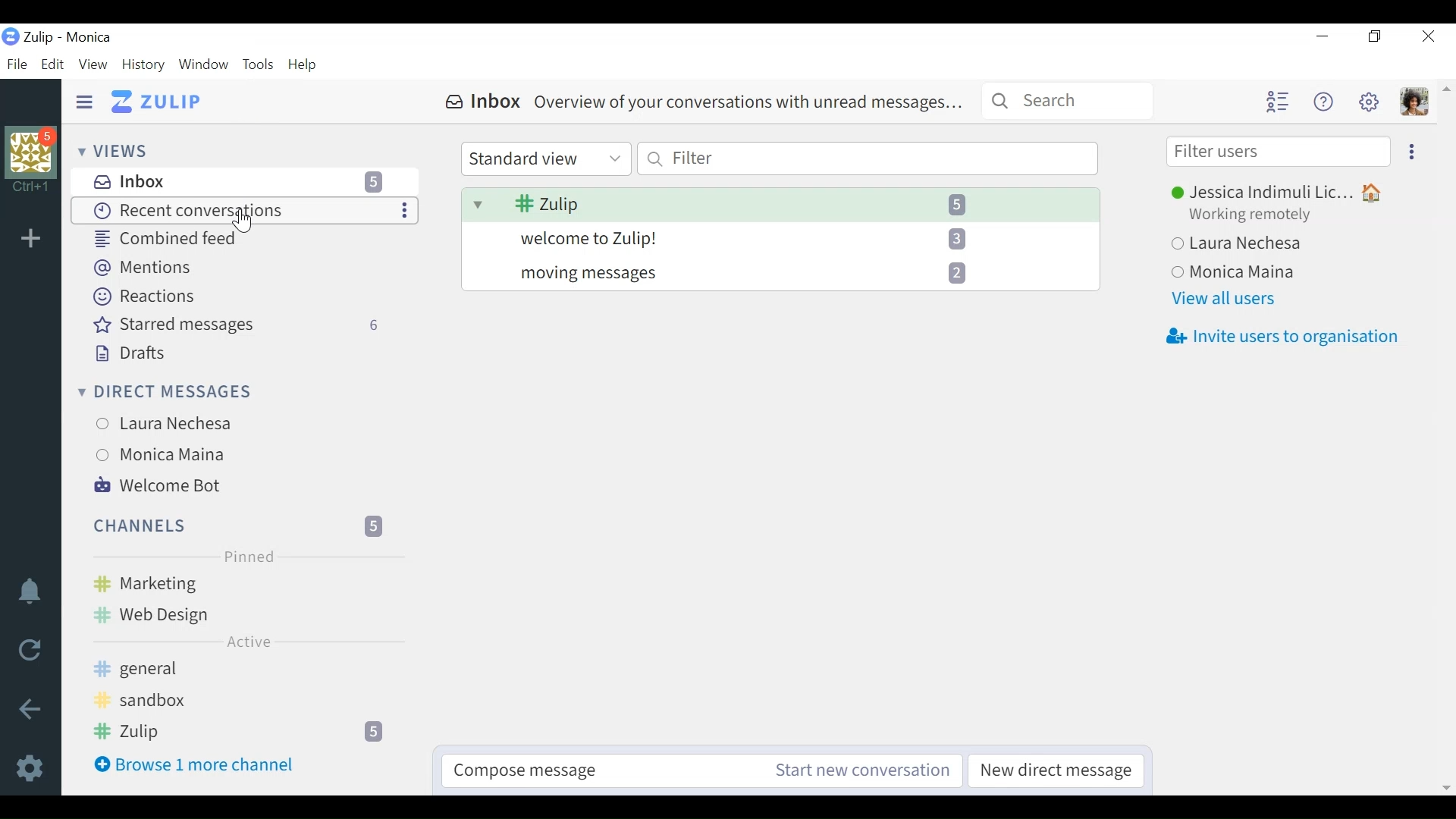 Image resolution: width=1456 pixels, height=819 pixels. I want to click on  Zulip logo, so click(11, 36).